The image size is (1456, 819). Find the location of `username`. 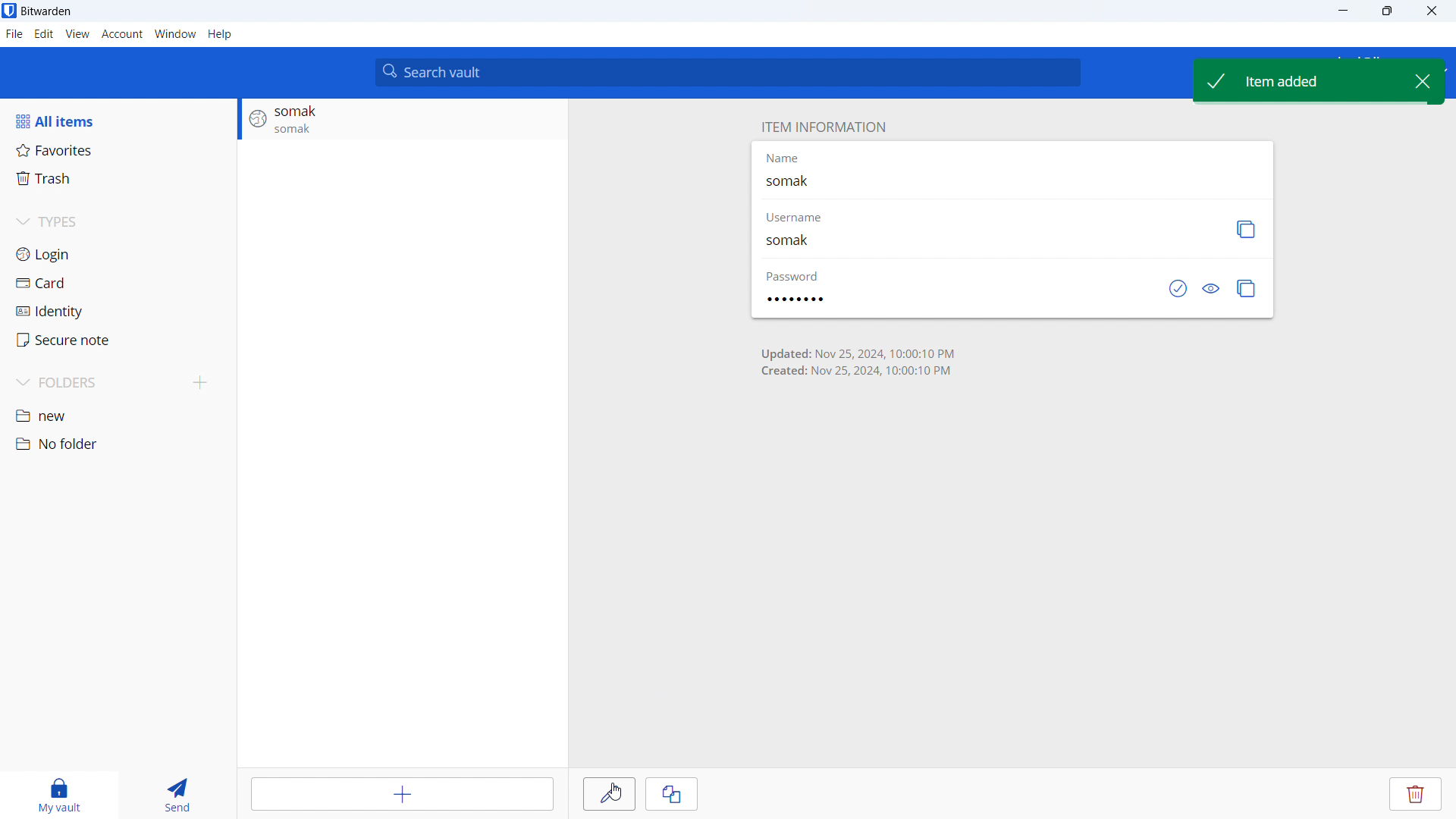

username is located at coordinates (985, 242).